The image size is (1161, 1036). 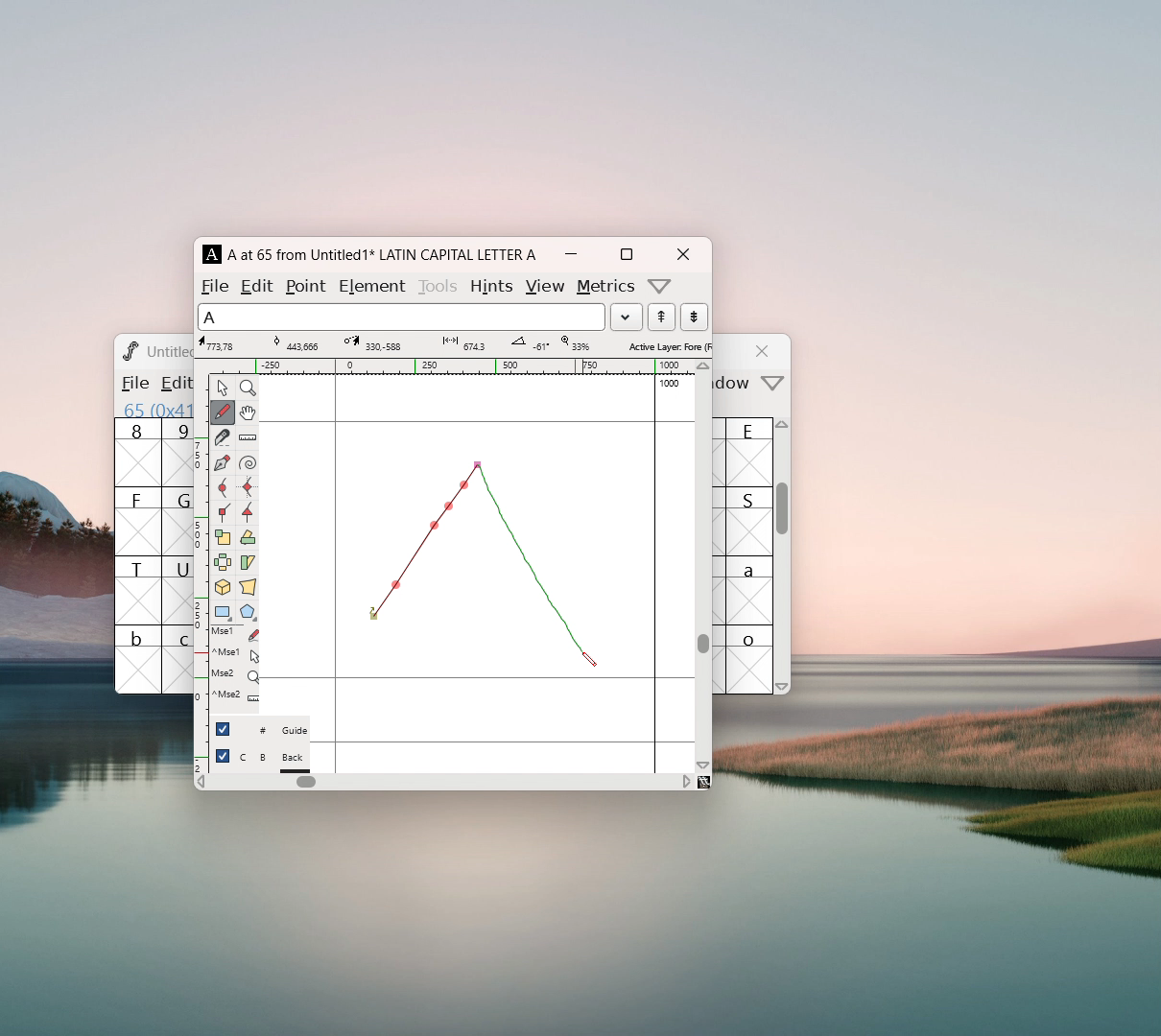 I want to click on perspective transformation, so click(x=248, y=589).